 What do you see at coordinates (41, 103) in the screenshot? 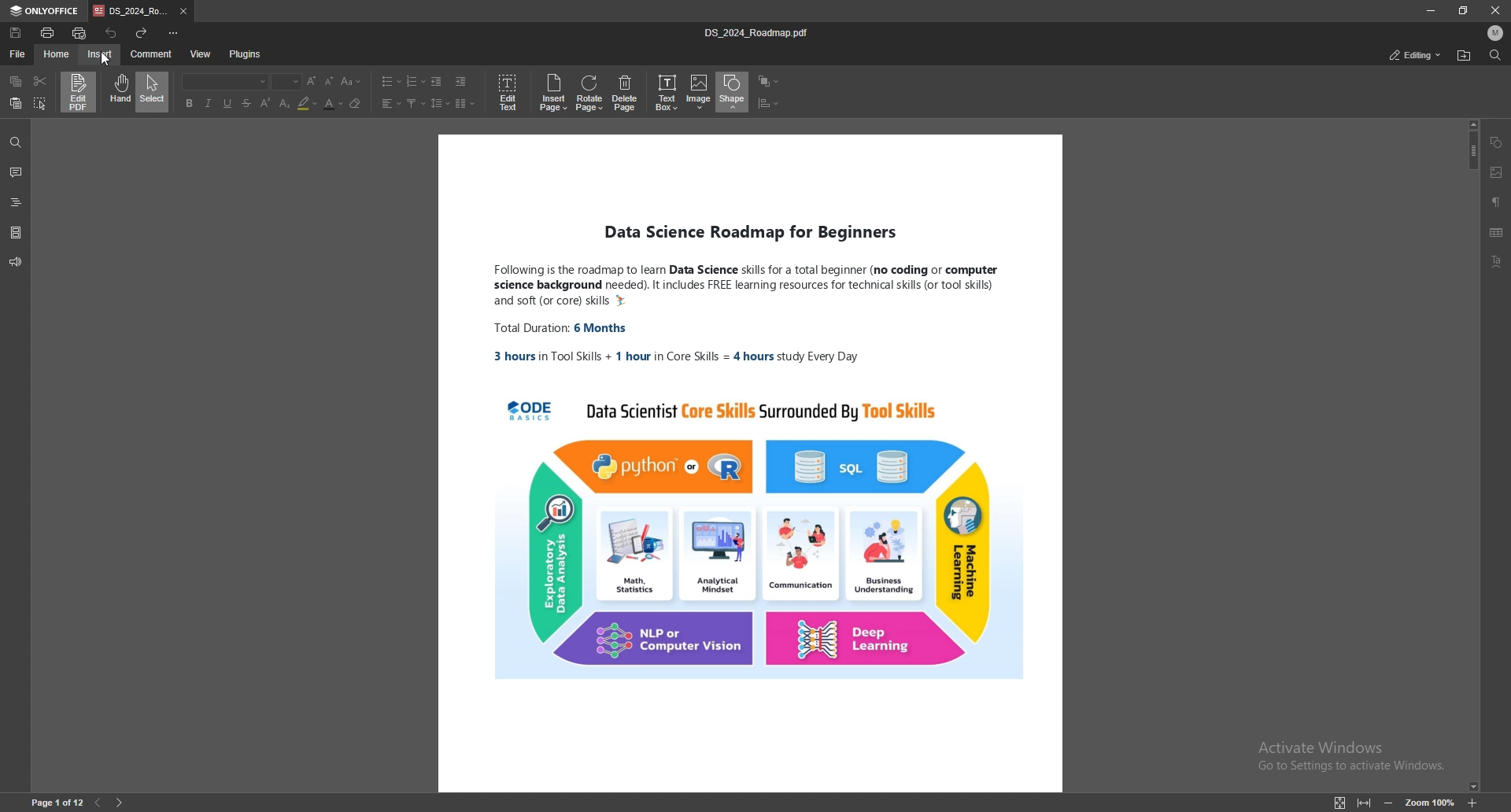
I see `select` at bounding box center [41, 103].